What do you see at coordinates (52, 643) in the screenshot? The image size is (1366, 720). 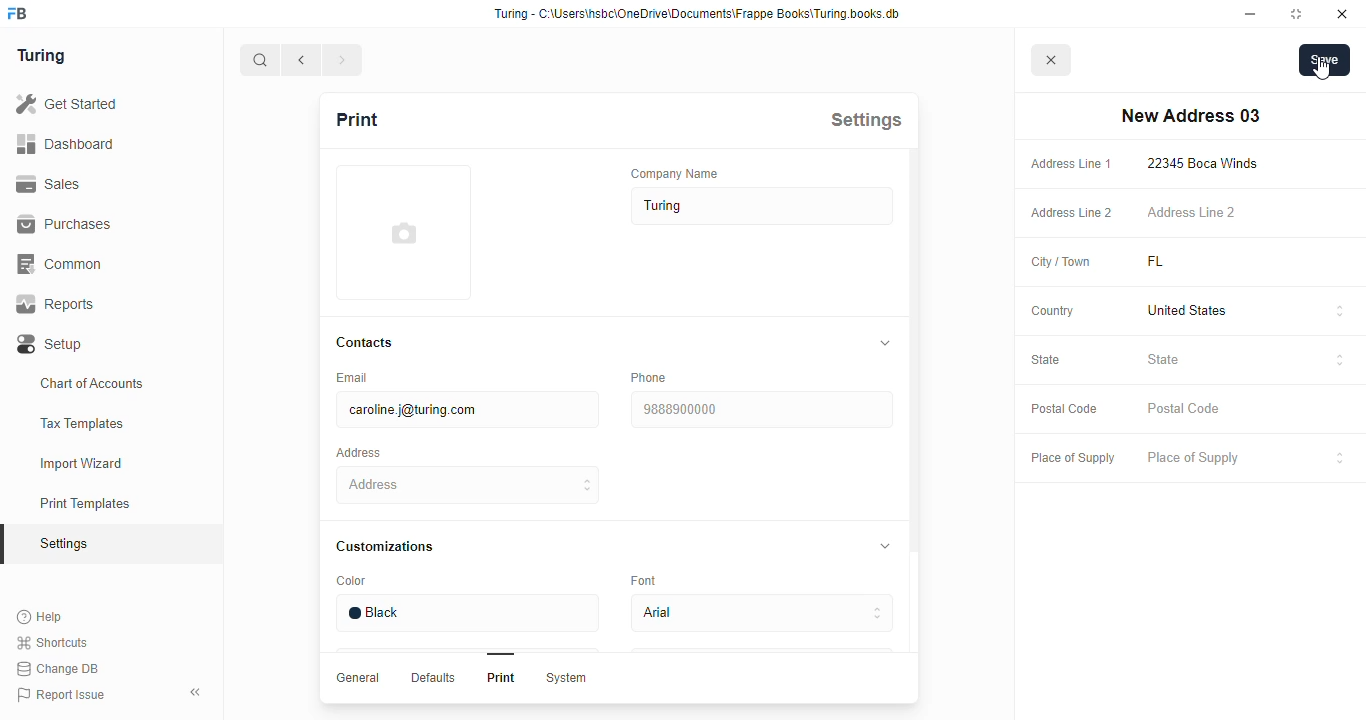 I see `shortcuts` at bounding box center [52, 643].